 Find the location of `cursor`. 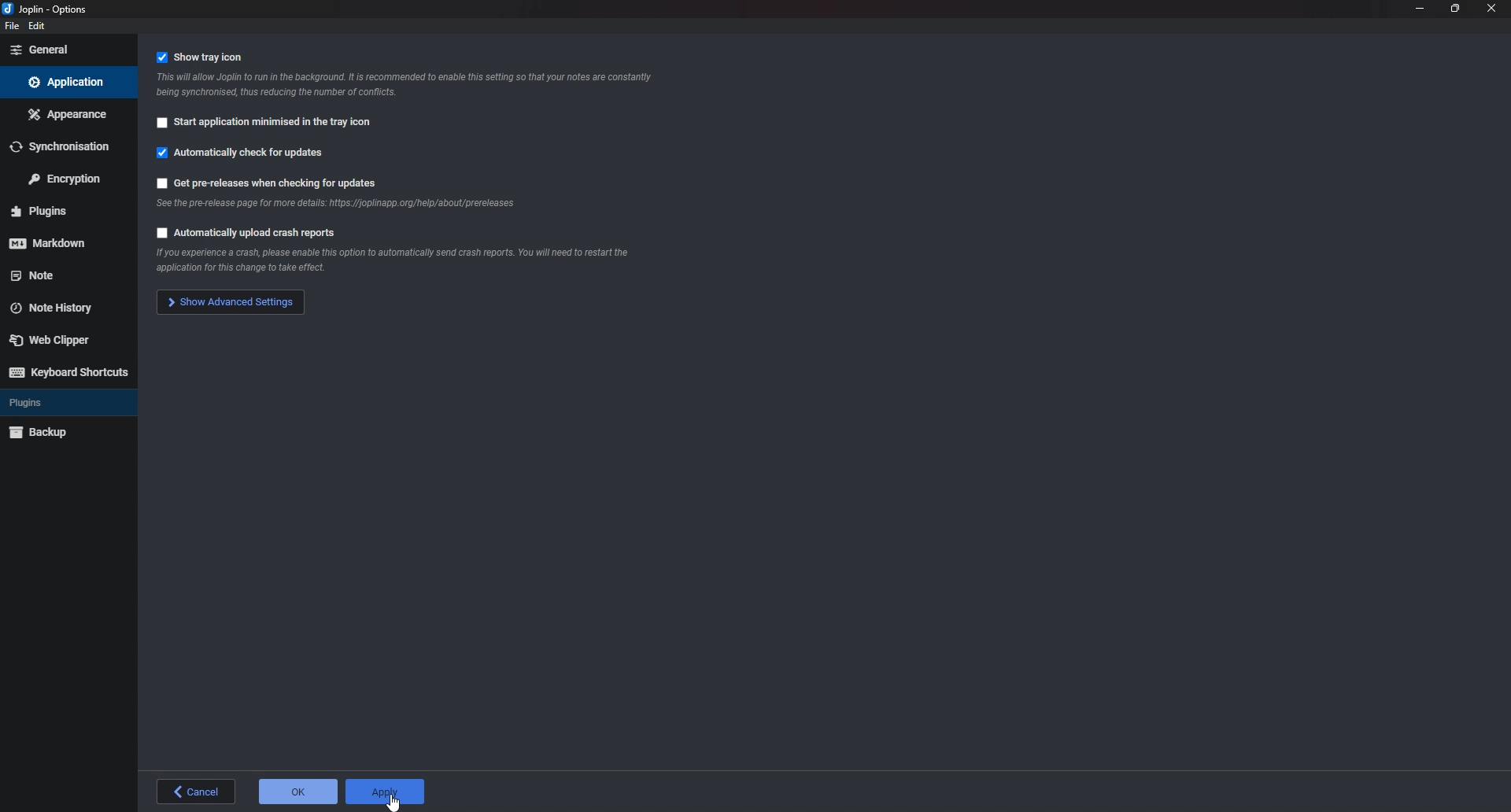

cursor is located at coordinates (394, 800).